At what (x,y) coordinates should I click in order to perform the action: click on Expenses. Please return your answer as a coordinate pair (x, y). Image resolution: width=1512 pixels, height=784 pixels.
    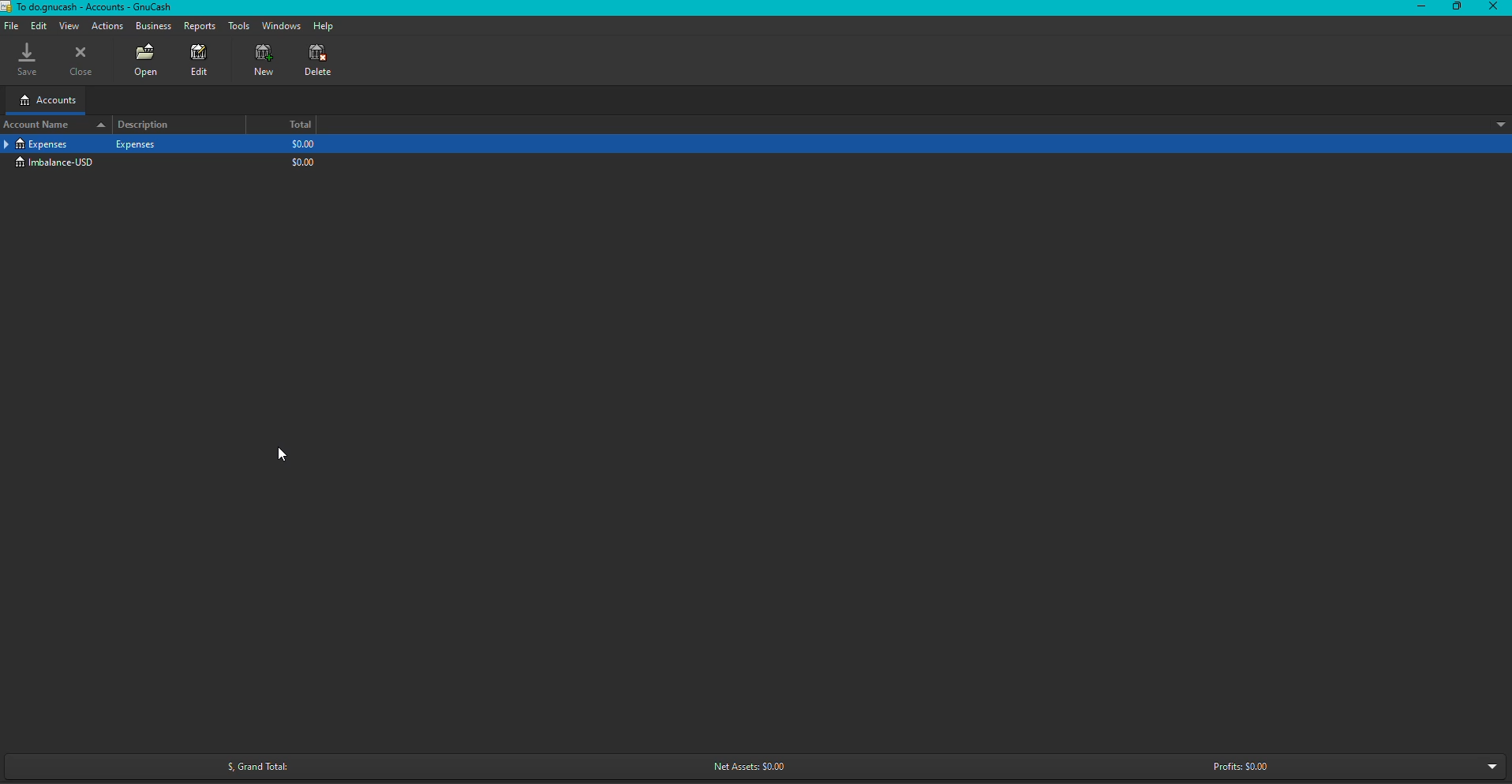
    Looking at the image, I should click on (37, 144).